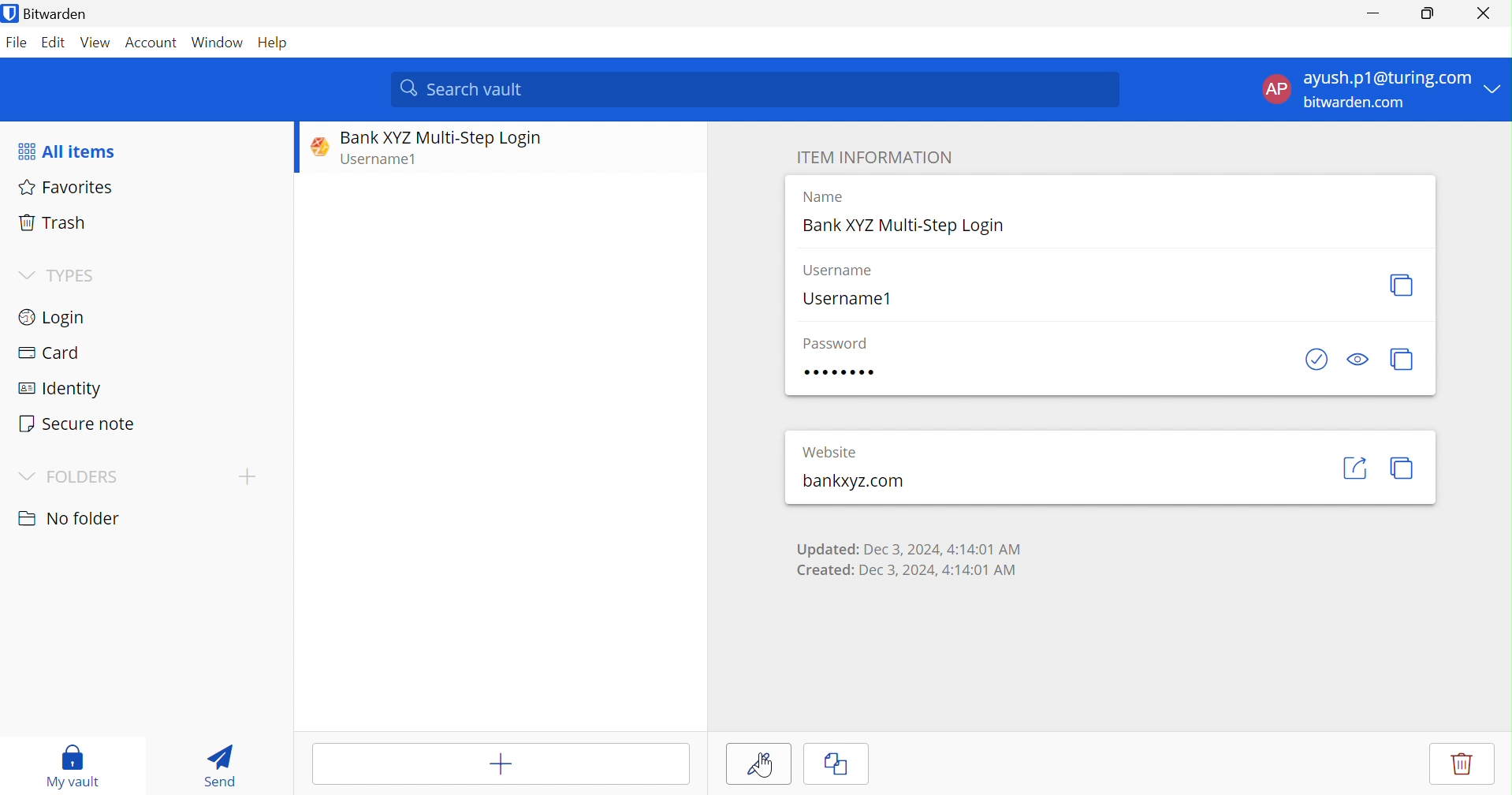 The height and width of the screenshot is (795, 1512). I want to click on Drop Down, so click(1498, 89).